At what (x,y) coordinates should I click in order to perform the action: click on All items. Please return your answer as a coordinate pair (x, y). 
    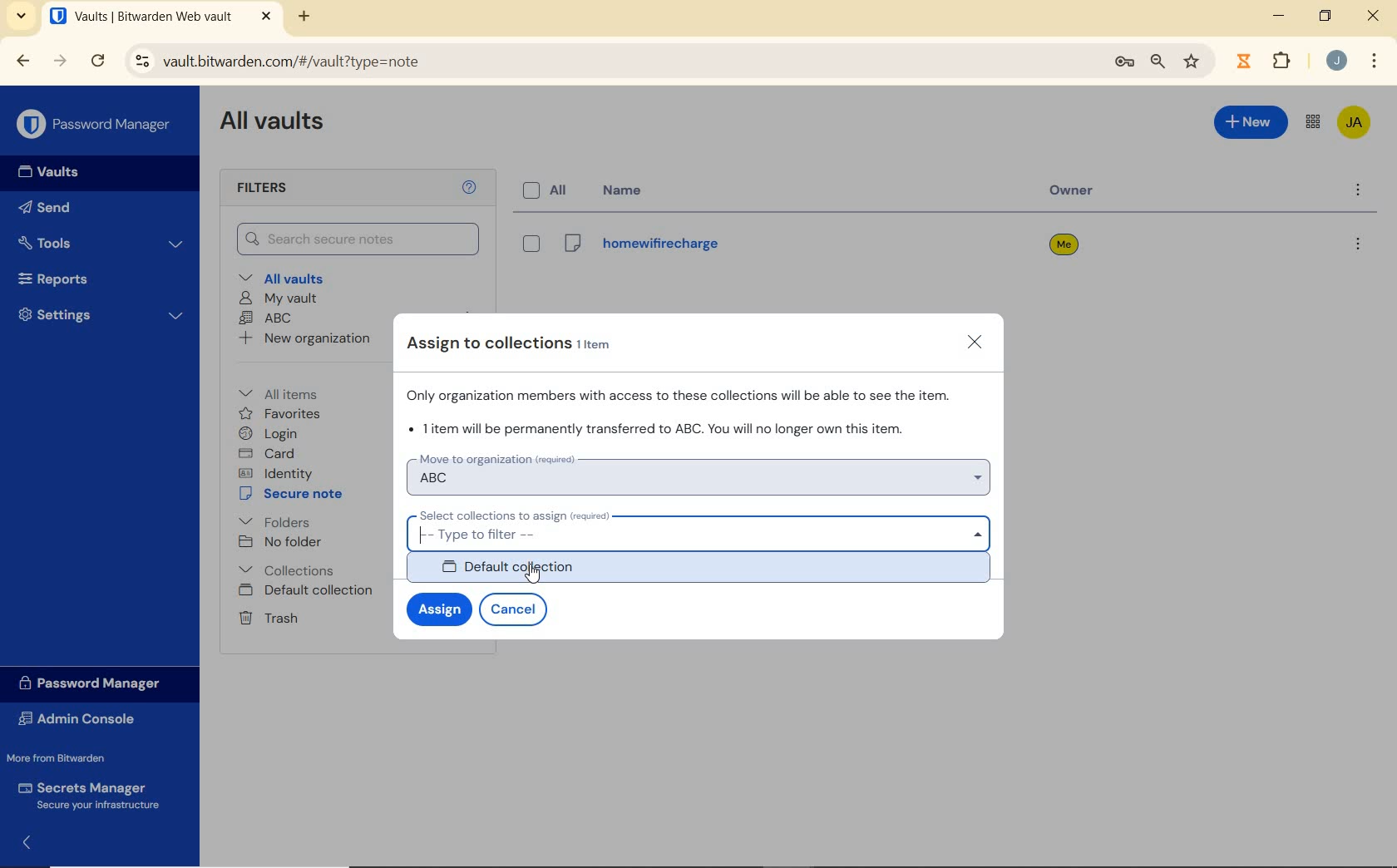
    Looking at the image, I should click on (290, 392).